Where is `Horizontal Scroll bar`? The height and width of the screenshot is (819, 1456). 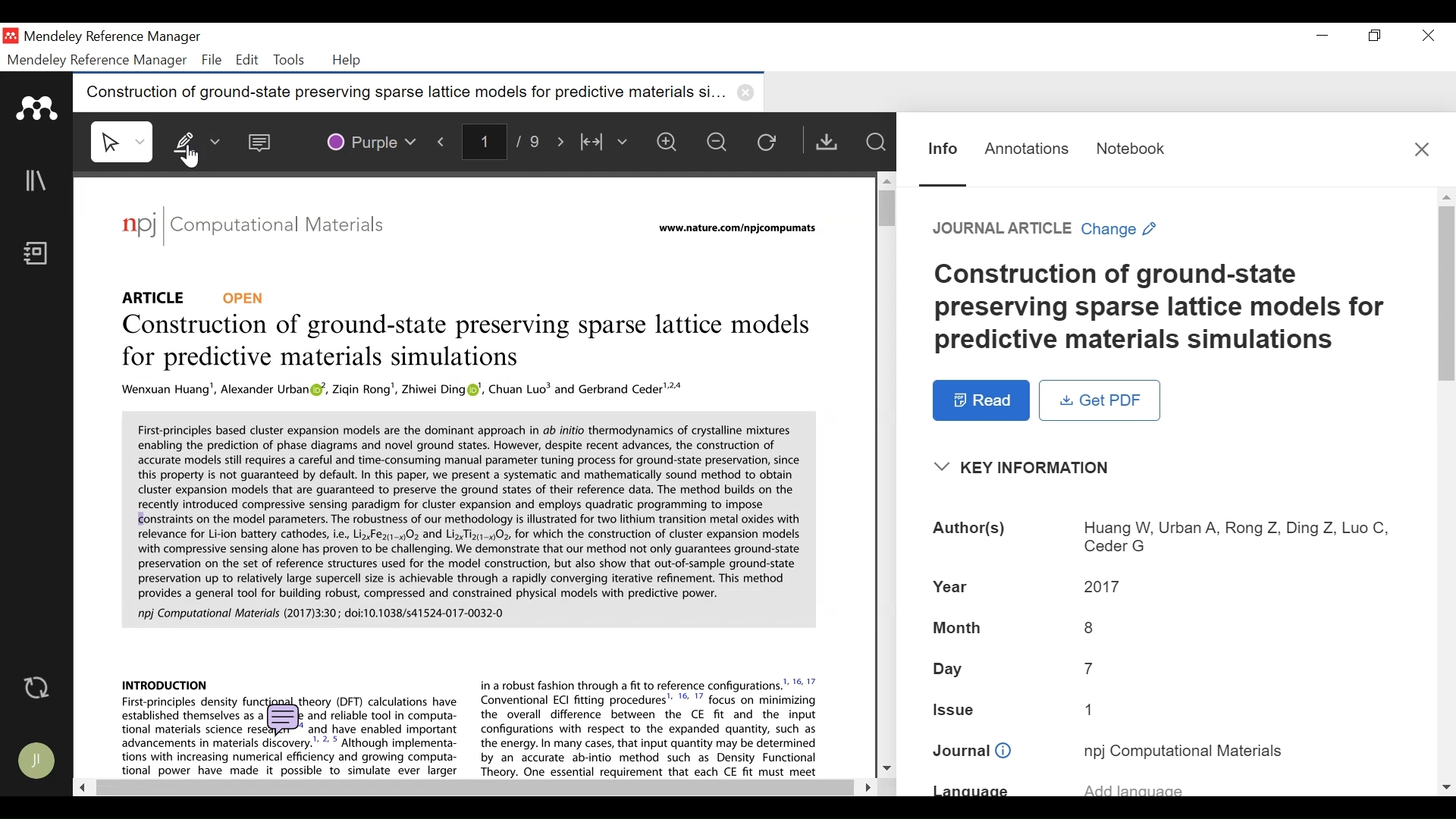 Horizontal Scroll bar is located at coordinates (472, 788).